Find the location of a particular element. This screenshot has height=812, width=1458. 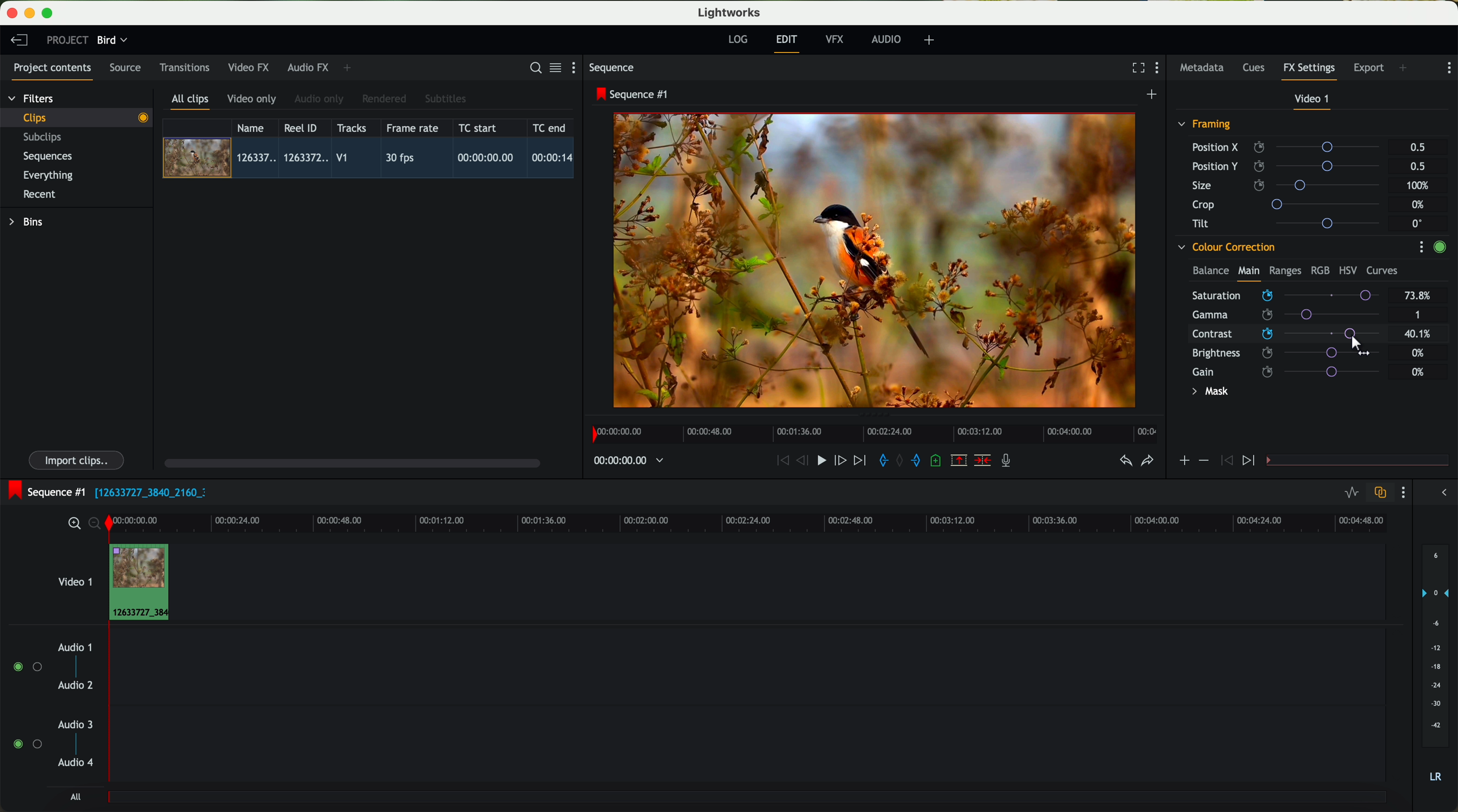

0.5 is located at coordinates (1418, 148).